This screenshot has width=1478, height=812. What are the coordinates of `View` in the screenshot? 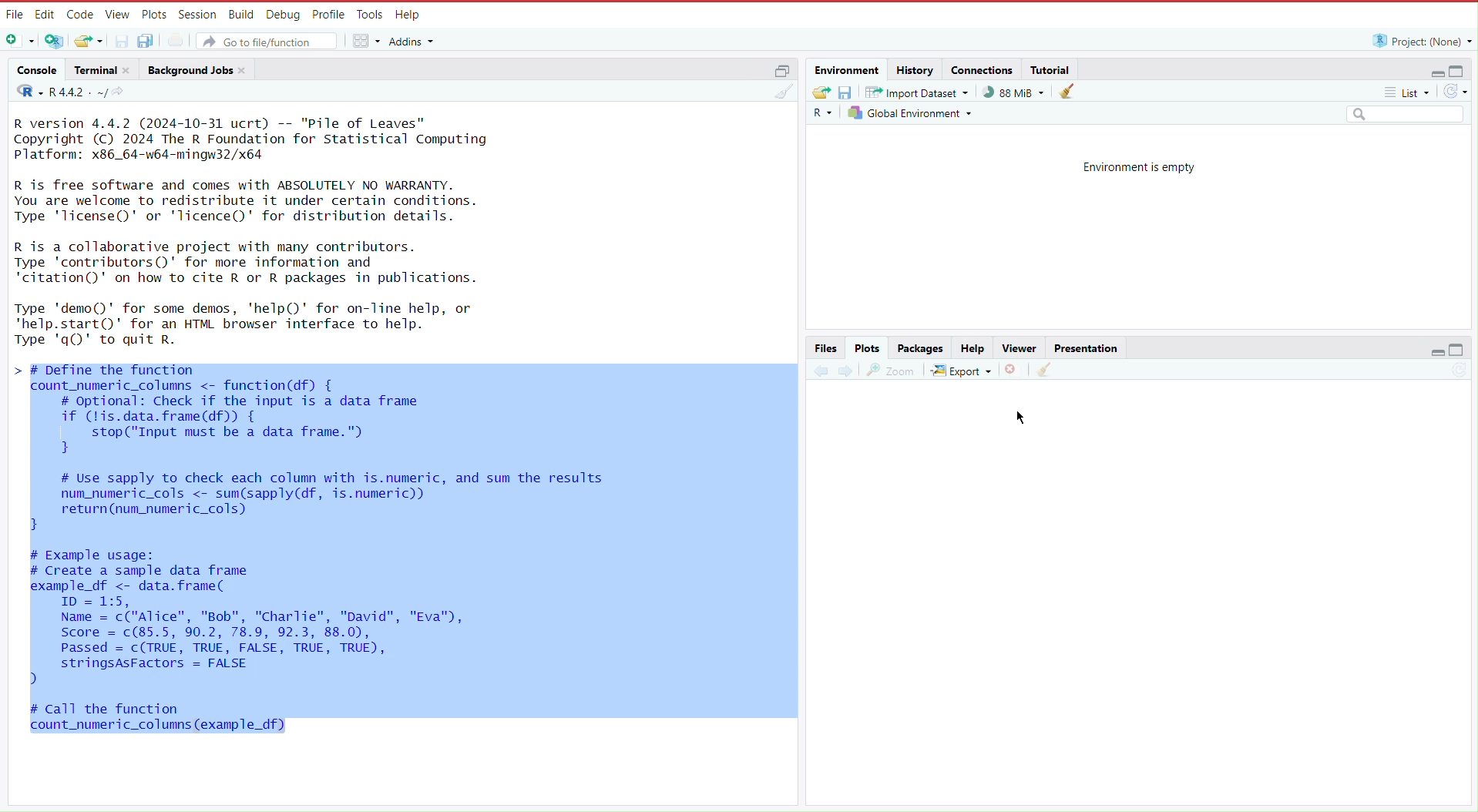 It's located at (116, 15).